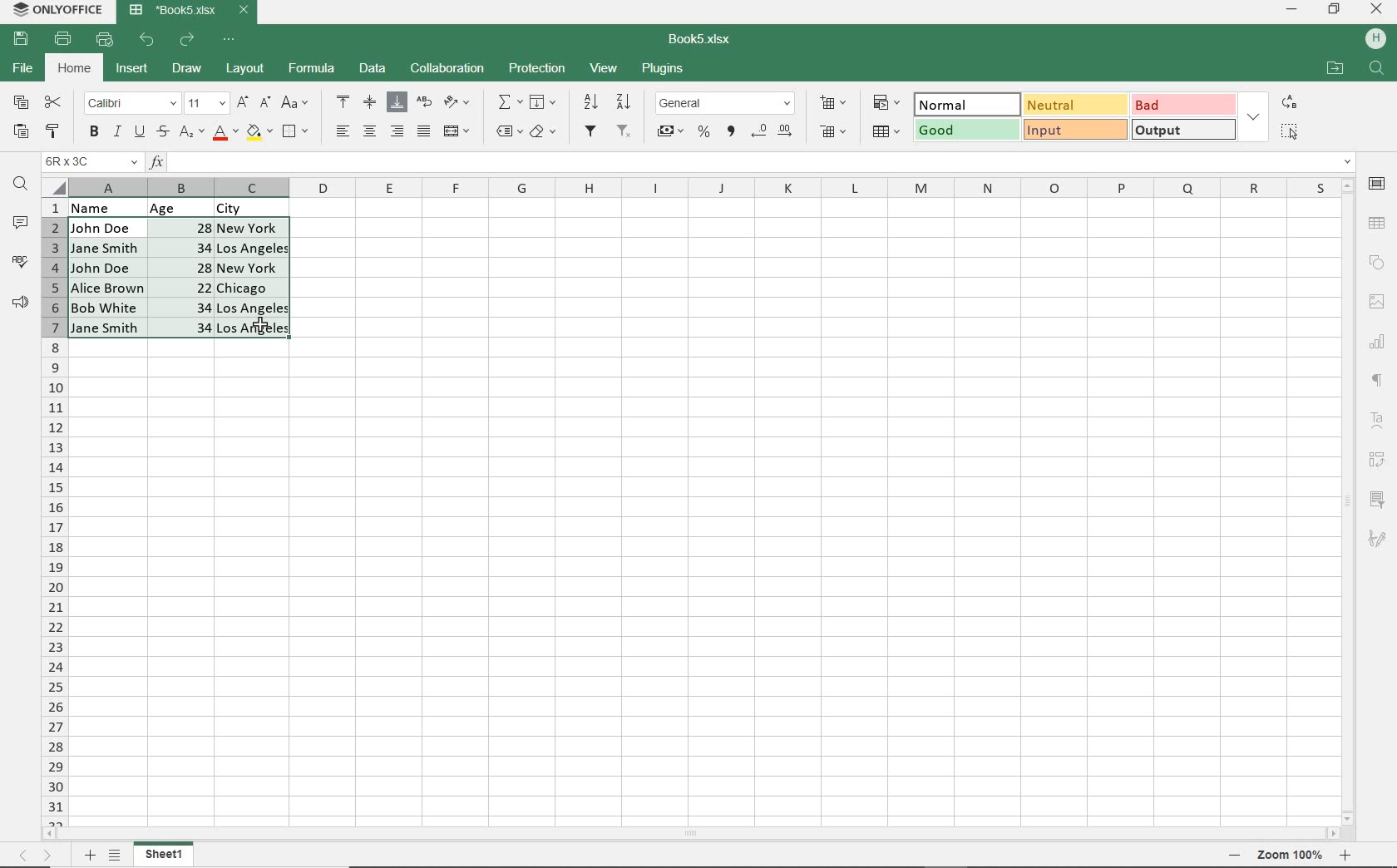  Describe the element at coordinates (1289, 131) in the screenshot. I see `SELECT ALL` at that location.